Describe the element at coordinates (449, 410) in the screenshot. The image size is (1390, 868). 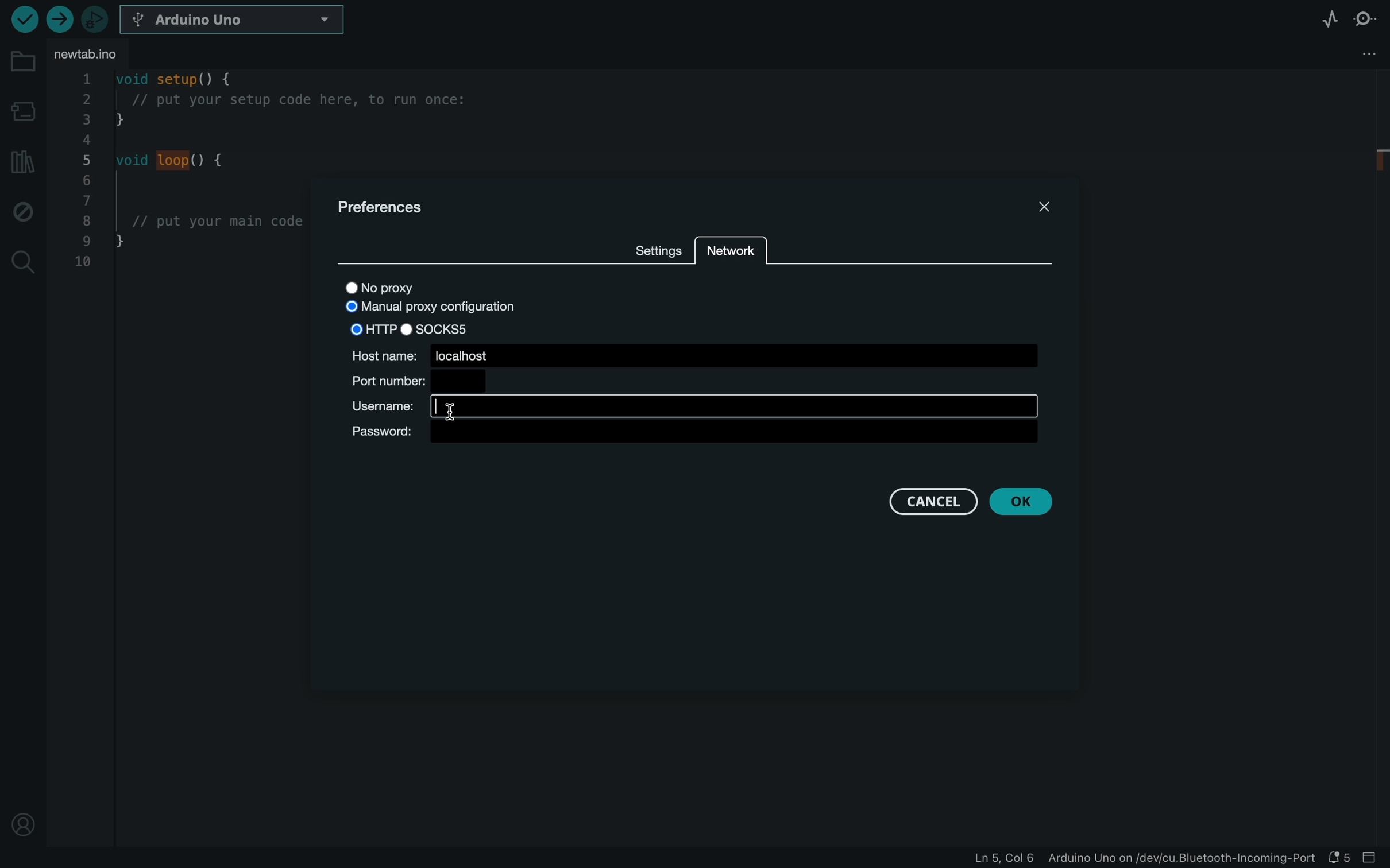
I see `cursor` at that location.